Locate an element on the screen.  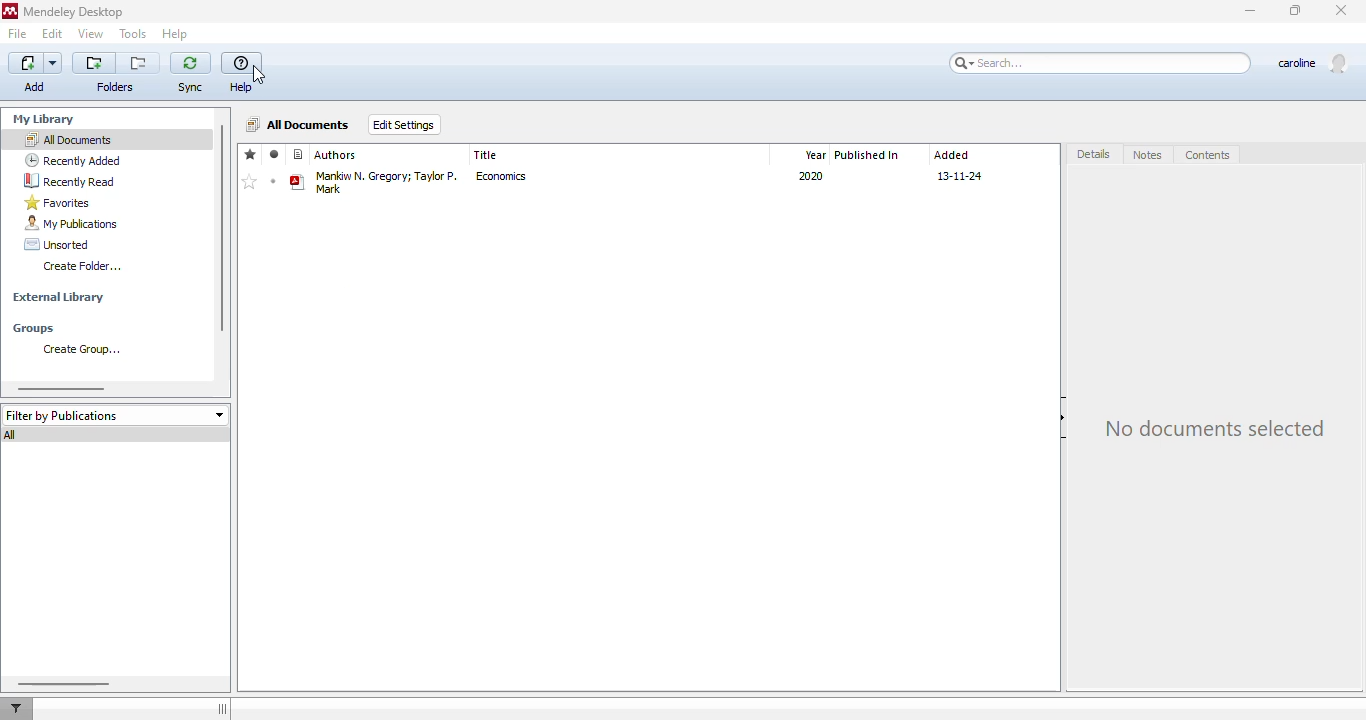
mark as unread is located at coordinates (274, 181).